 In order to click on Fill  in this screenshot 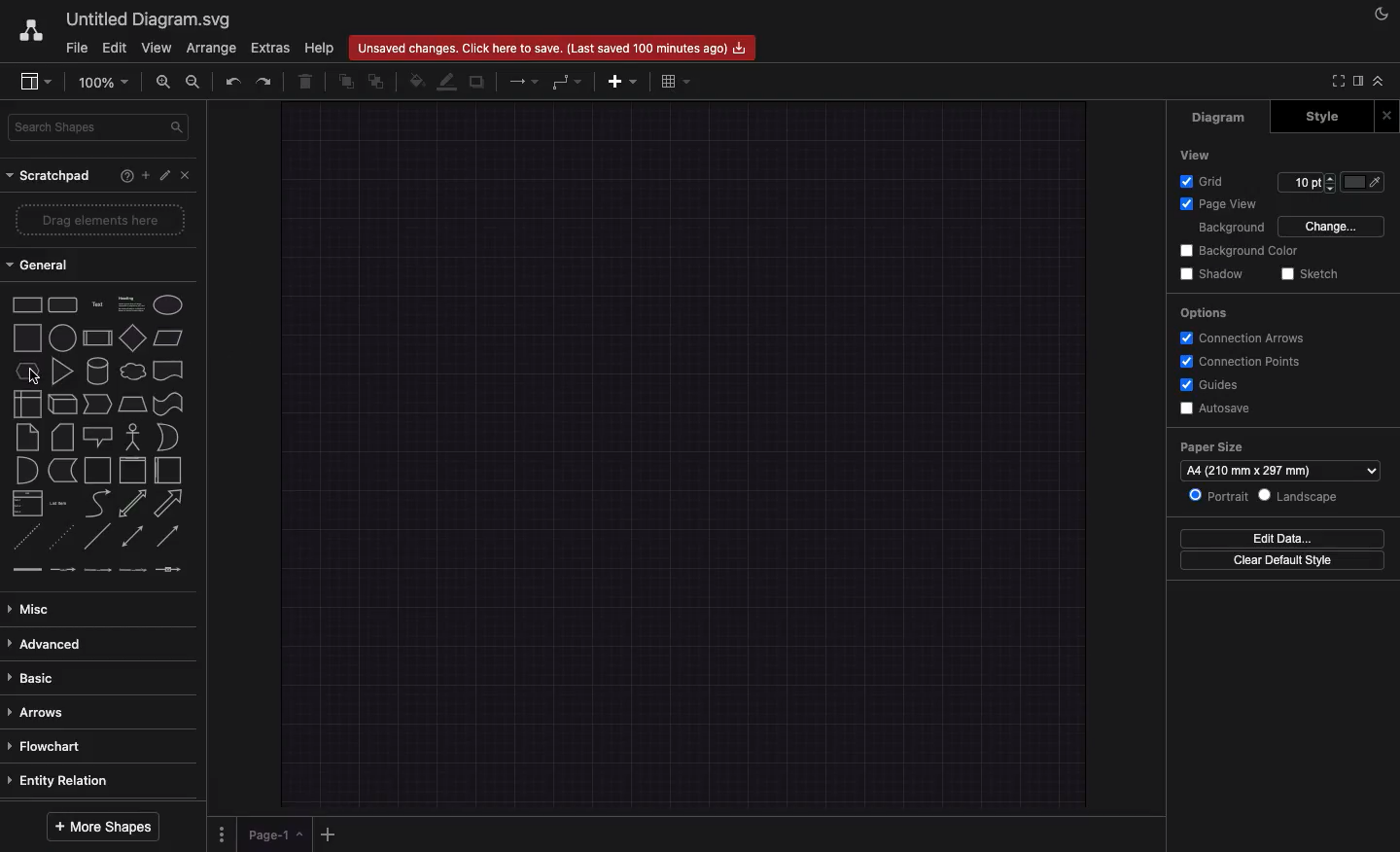, I will do `click(415, 82)`.